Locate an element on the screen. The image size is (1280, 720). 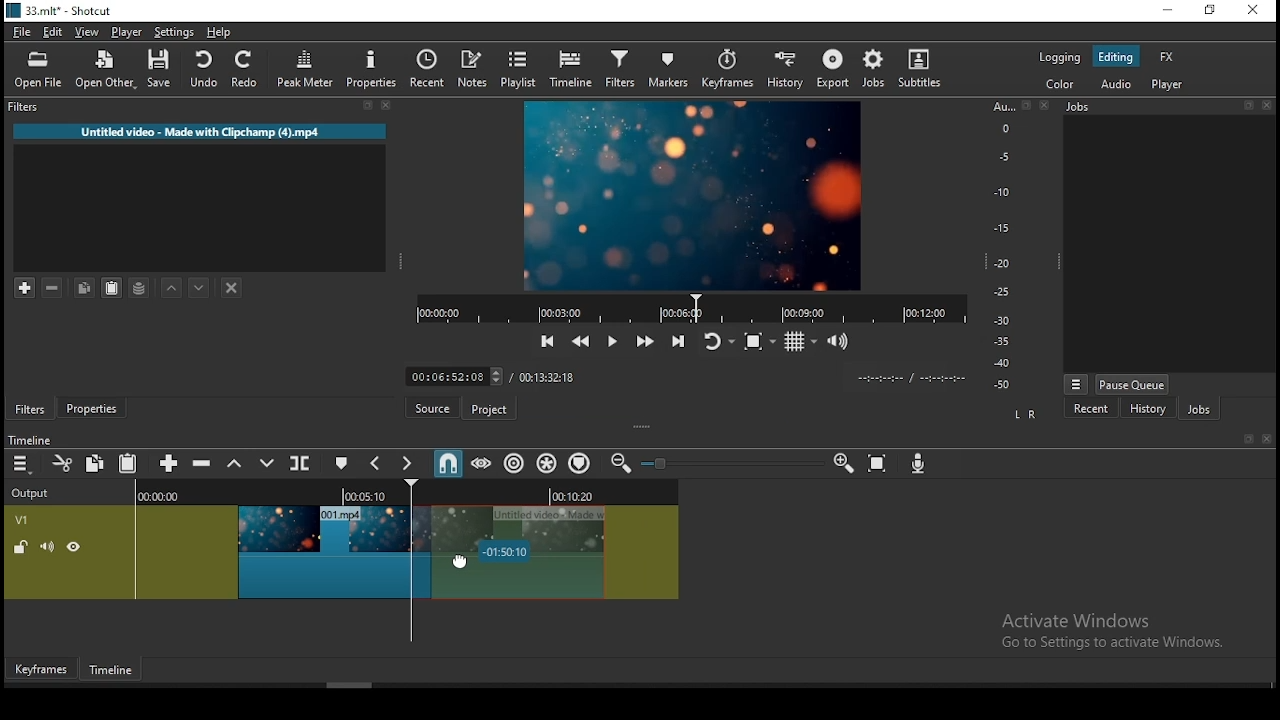
open file is located at coordinates (39, 71).